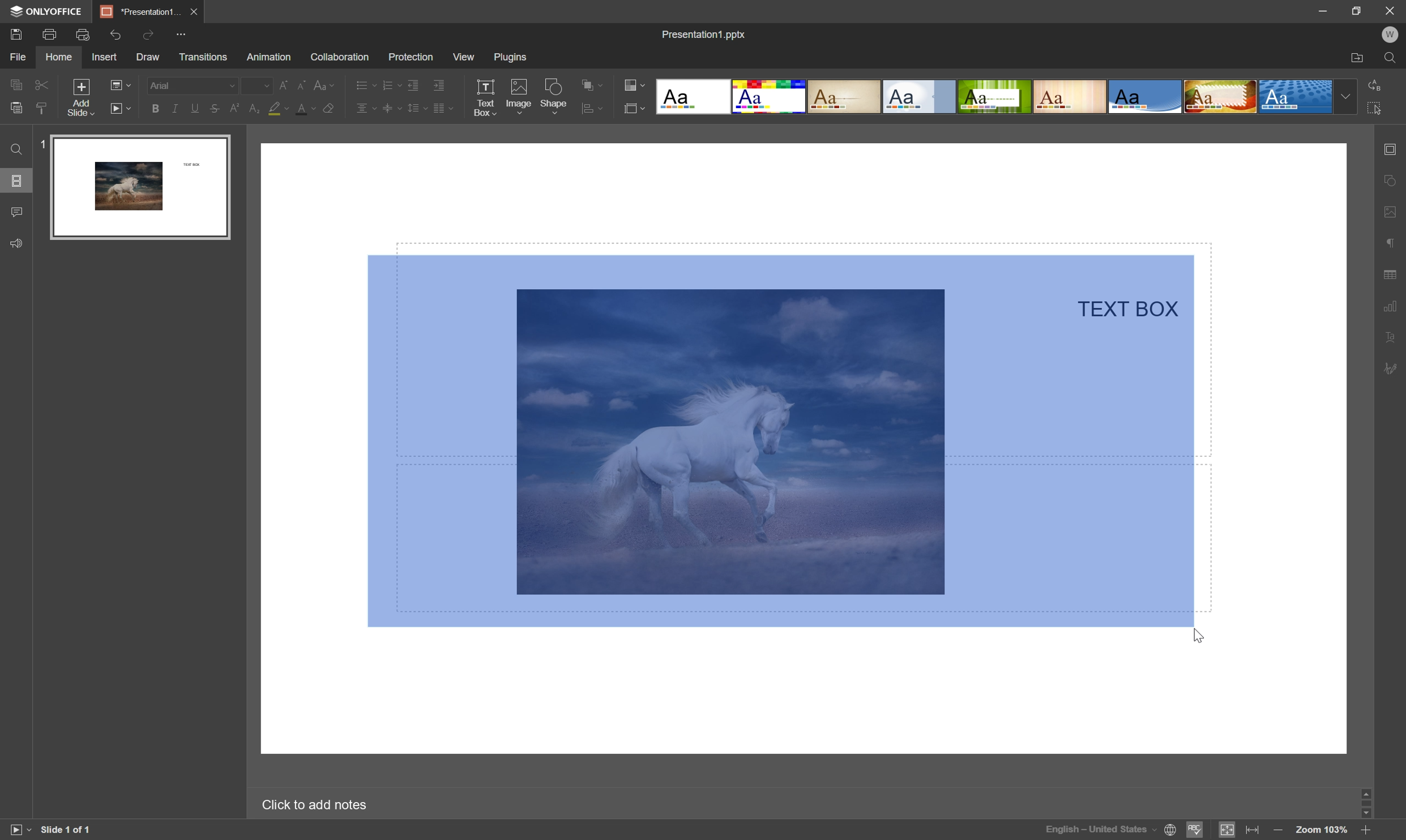  Describe the element at coordinates (691, 96) in the screenshot. I see `Blank` at that location.